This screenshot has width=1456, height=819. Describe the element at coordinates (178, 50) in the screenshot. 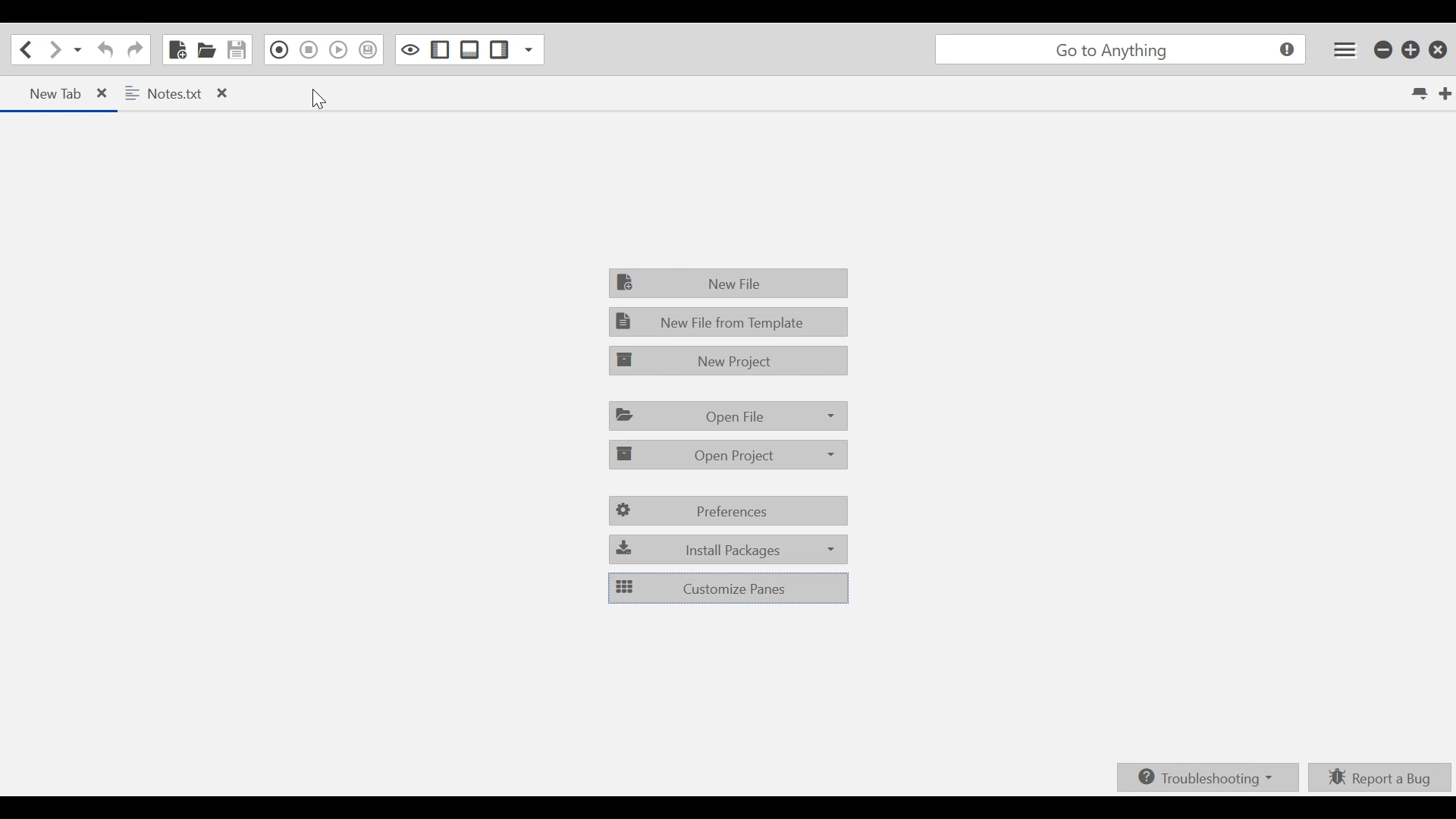

I see `New File` at that location.